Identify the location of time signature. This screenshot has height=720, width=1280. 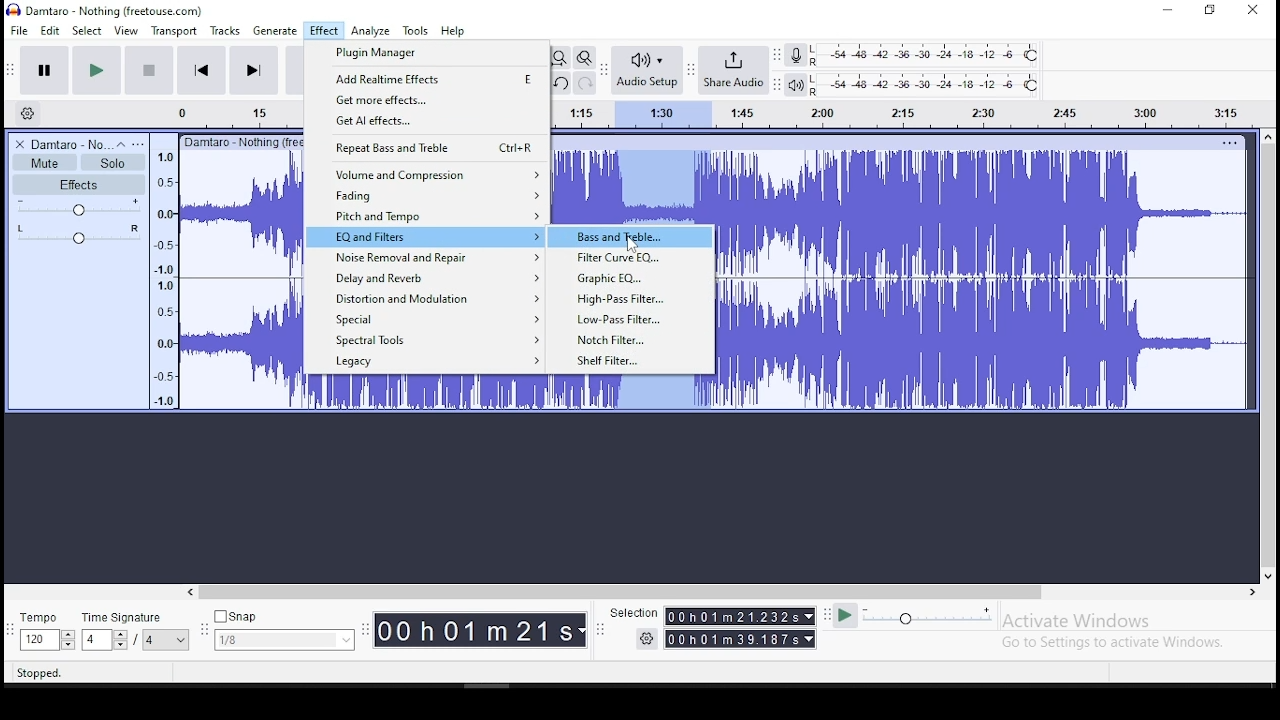
(135, 617).